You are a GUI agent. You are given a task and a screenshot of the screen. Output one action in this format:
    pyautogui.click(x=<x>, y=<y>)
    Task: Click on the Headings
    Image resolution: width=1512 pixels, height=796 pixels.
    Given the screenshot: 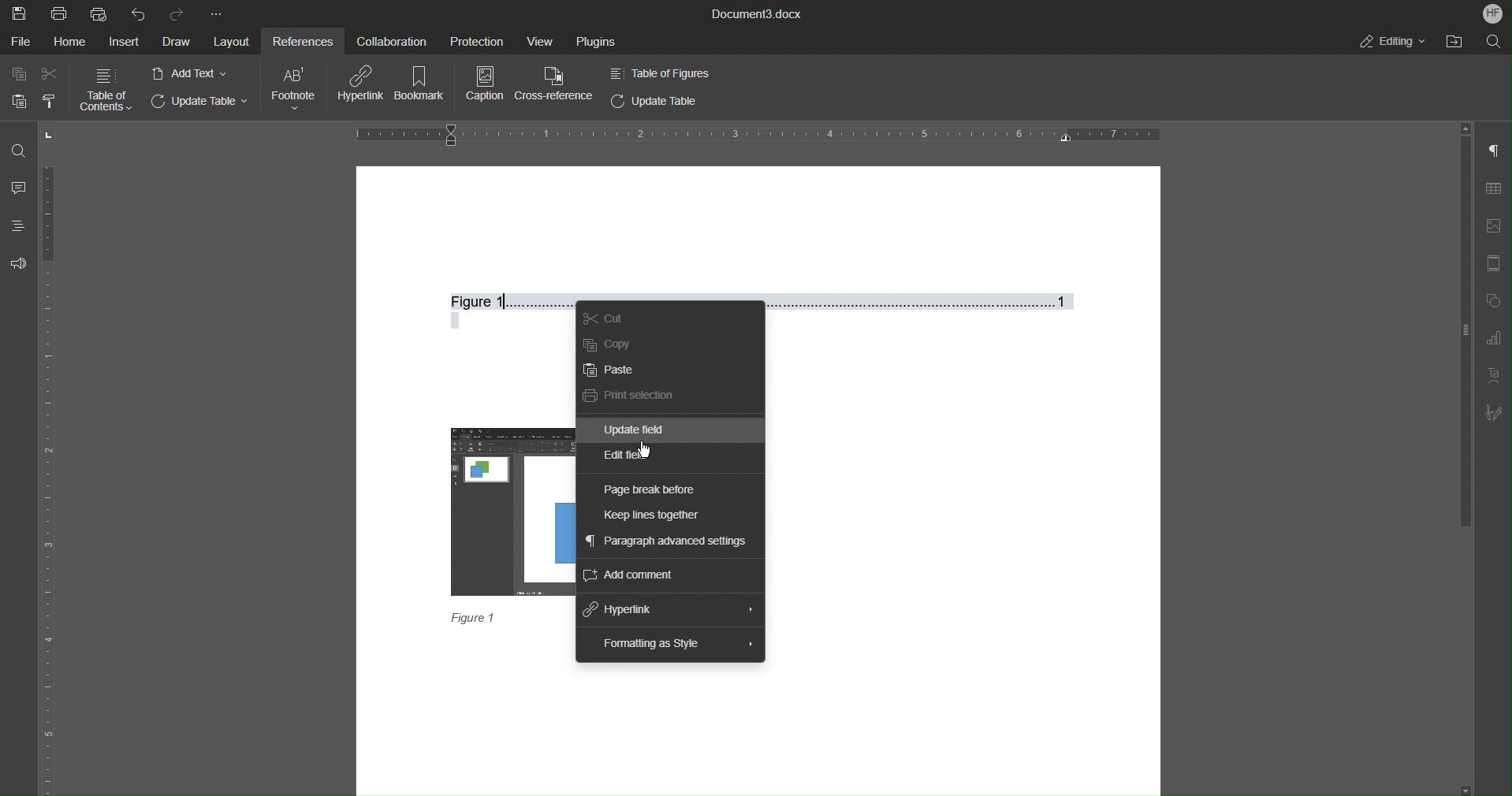 What is the action you would take?
    pyautogui.click(x=16, y=225)
    